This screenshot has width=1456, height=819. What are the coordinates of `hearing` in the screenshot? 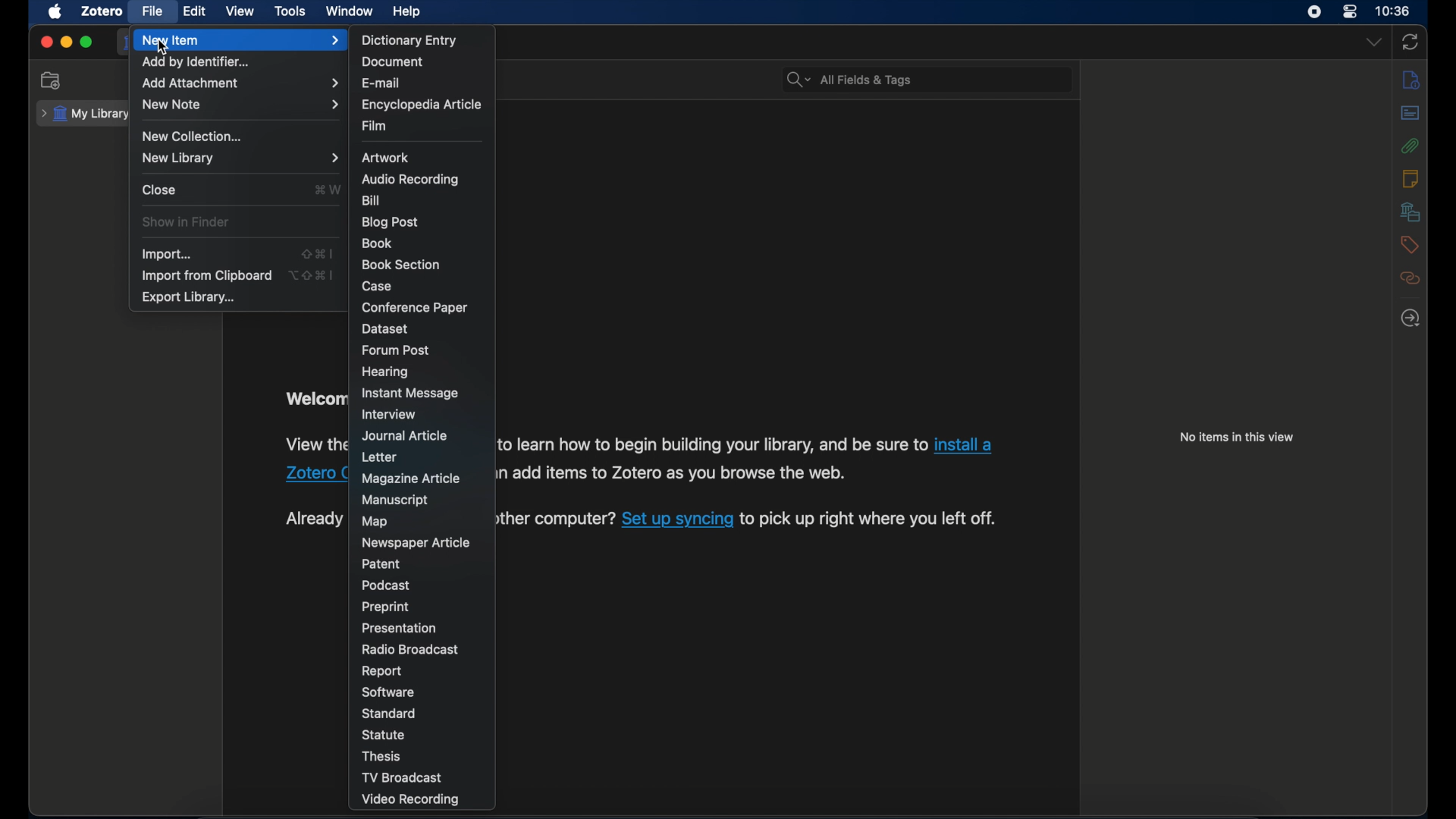 It's located at (387, 373).